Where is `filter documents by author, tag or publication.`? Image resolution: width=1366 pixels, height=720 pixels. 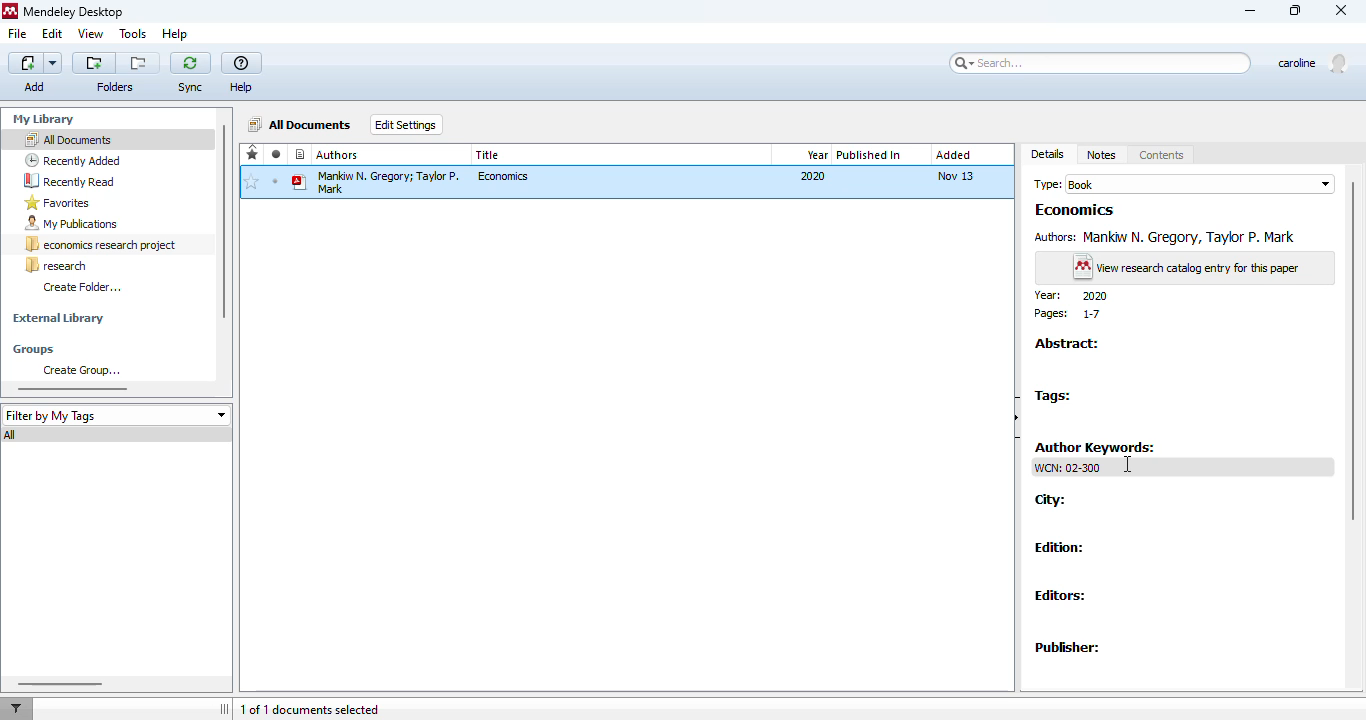
filter documents by author, tag or publication. is located at coordinates (16, 709).